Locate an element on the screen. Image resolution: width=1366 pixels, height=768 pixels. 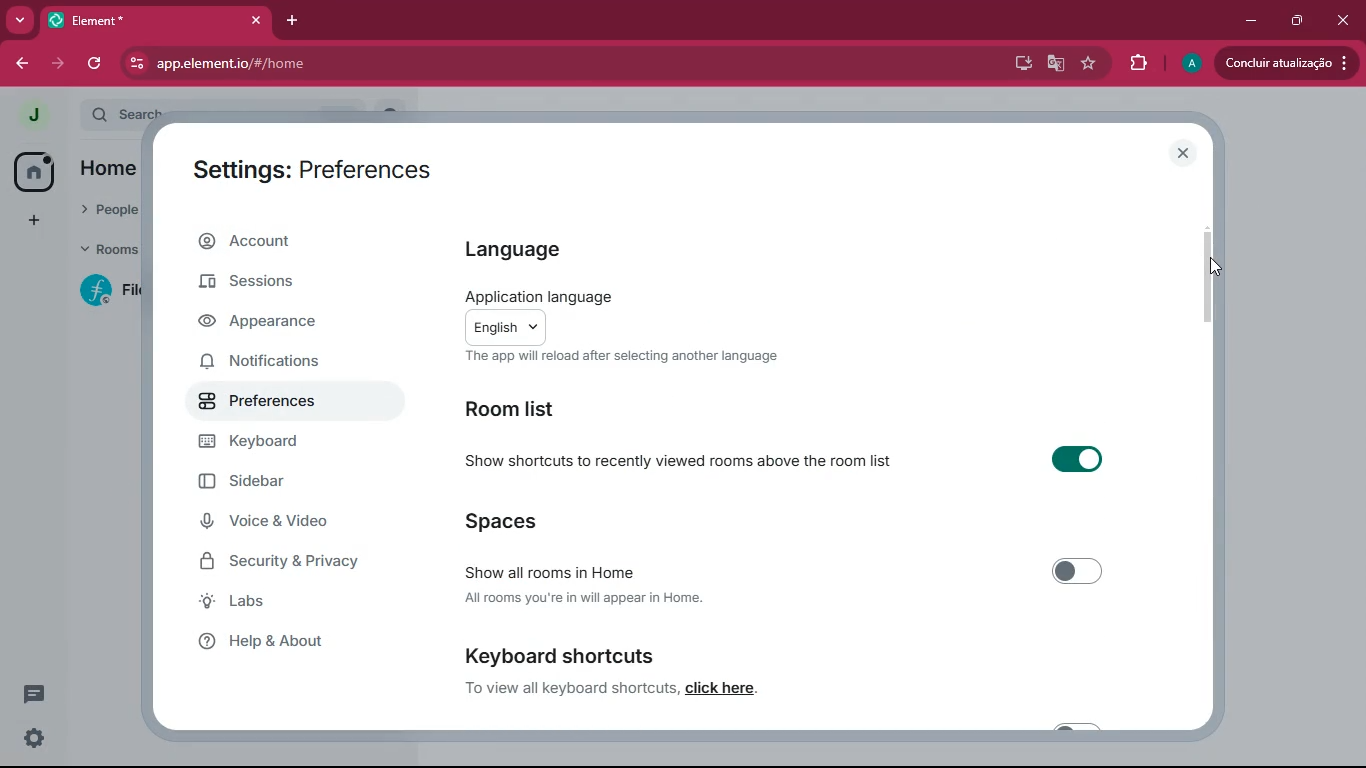
to view all keyboard shortcuts, is located at coordinates (572, 687).